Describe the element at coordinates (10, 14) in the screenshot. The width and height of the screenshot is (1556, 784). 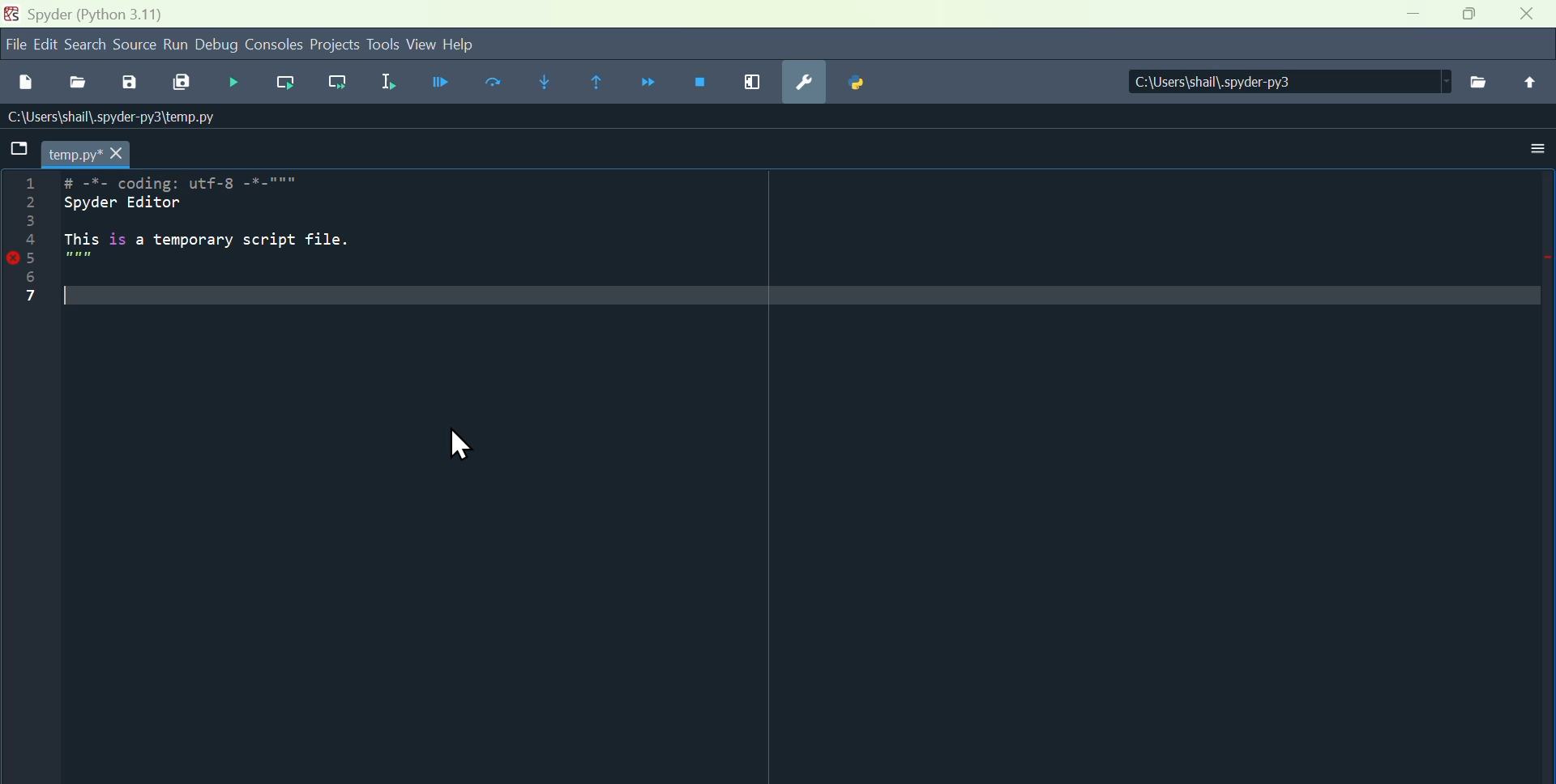
I see `Spyder logo` at that location.